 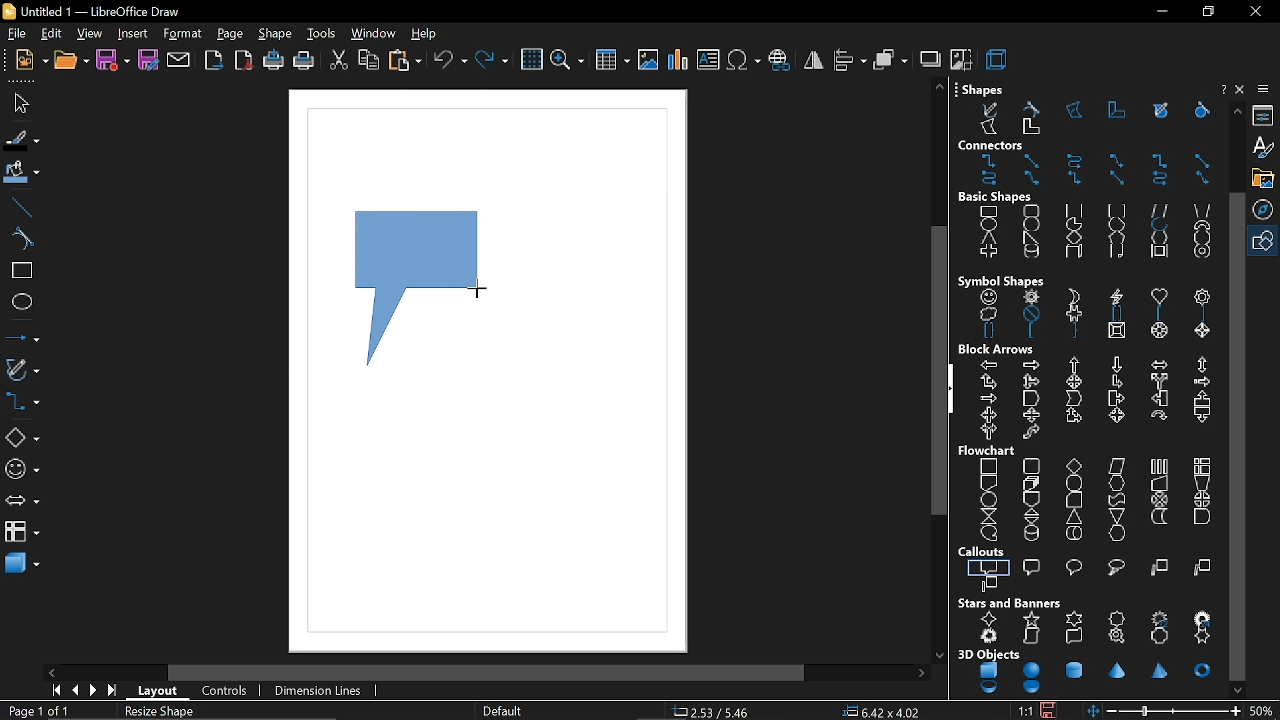 I want to click on align, so click(x=848, y=60).